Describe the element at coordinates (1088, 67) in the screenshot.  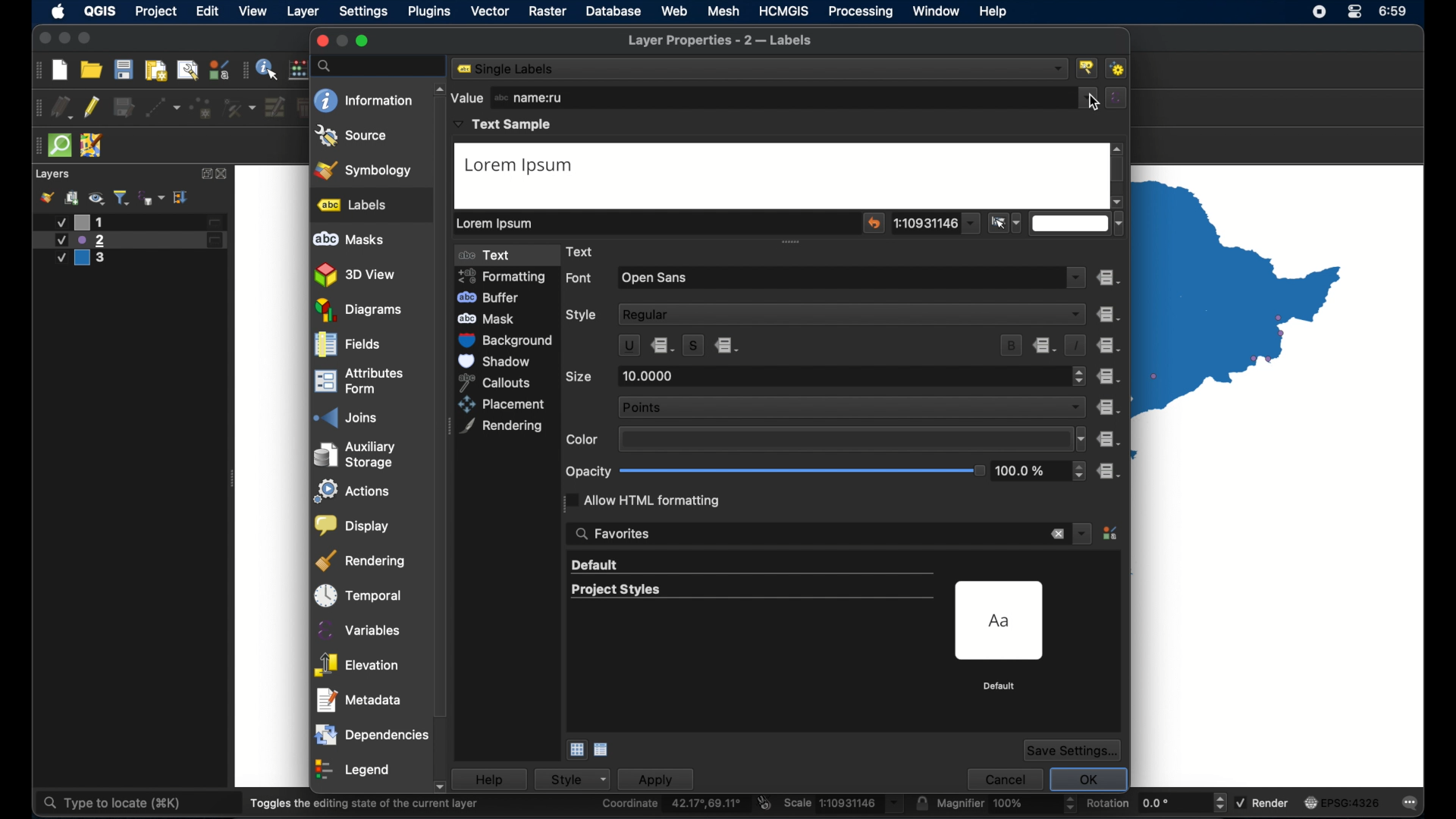
I see `configure project labelling tools` at that location.